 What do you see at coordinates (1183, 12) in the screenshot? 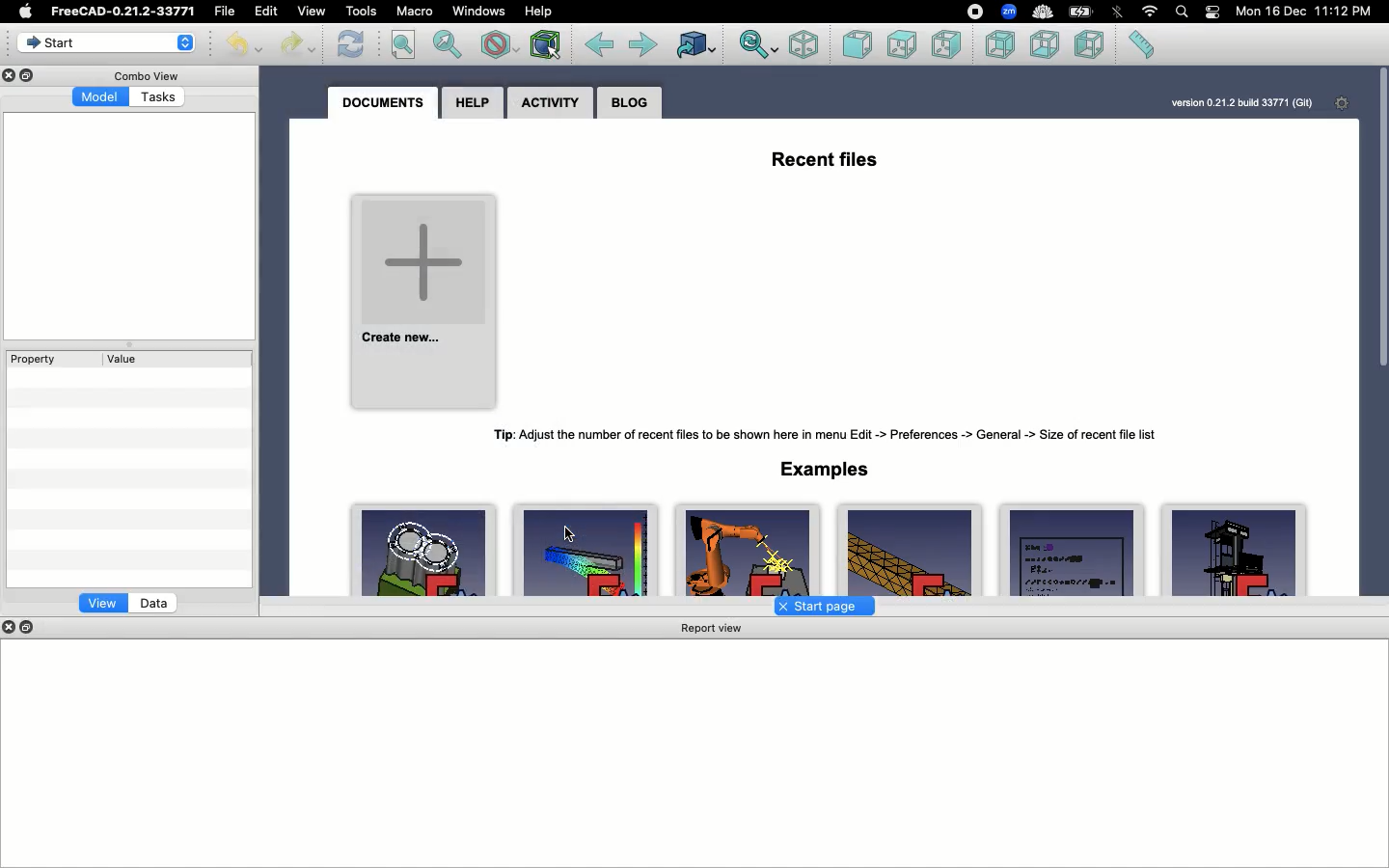
I see `Search` at bounding box center [1183, 12].